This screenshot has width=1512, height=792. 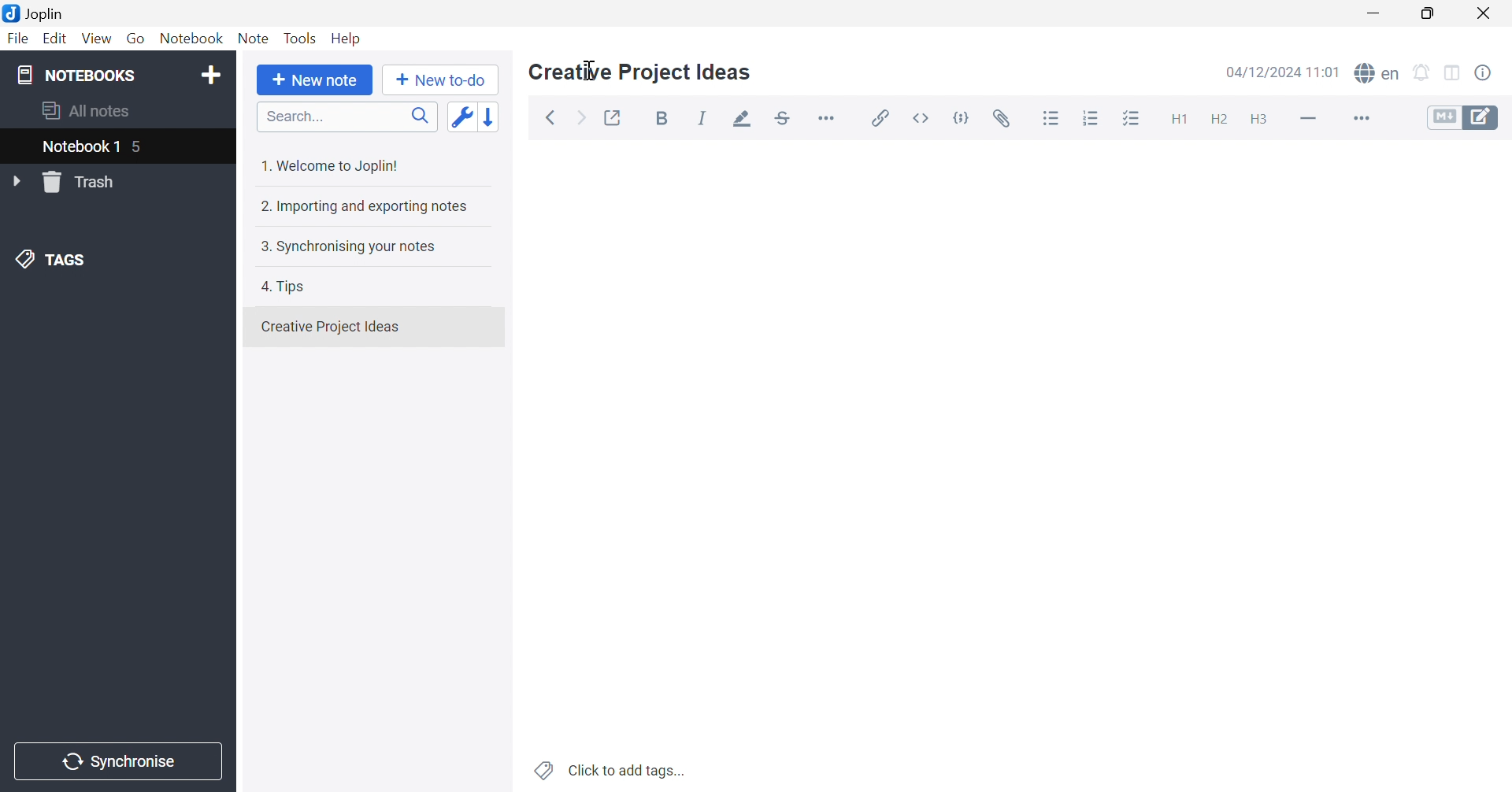 I want to click on Code, so click(x=965, y=117).